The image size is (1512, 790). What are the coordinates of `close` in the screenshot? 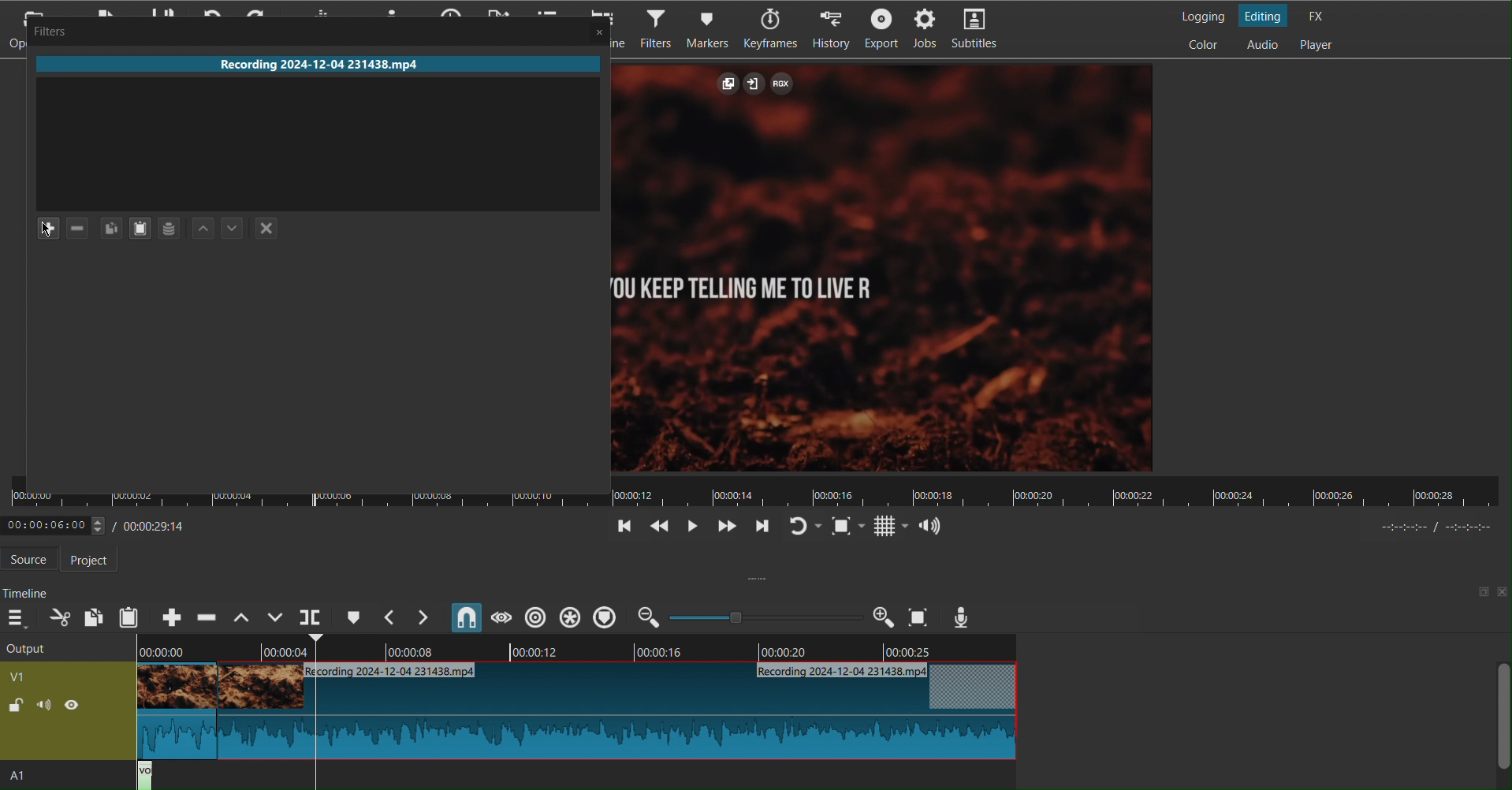 It's located at (1503, 593).